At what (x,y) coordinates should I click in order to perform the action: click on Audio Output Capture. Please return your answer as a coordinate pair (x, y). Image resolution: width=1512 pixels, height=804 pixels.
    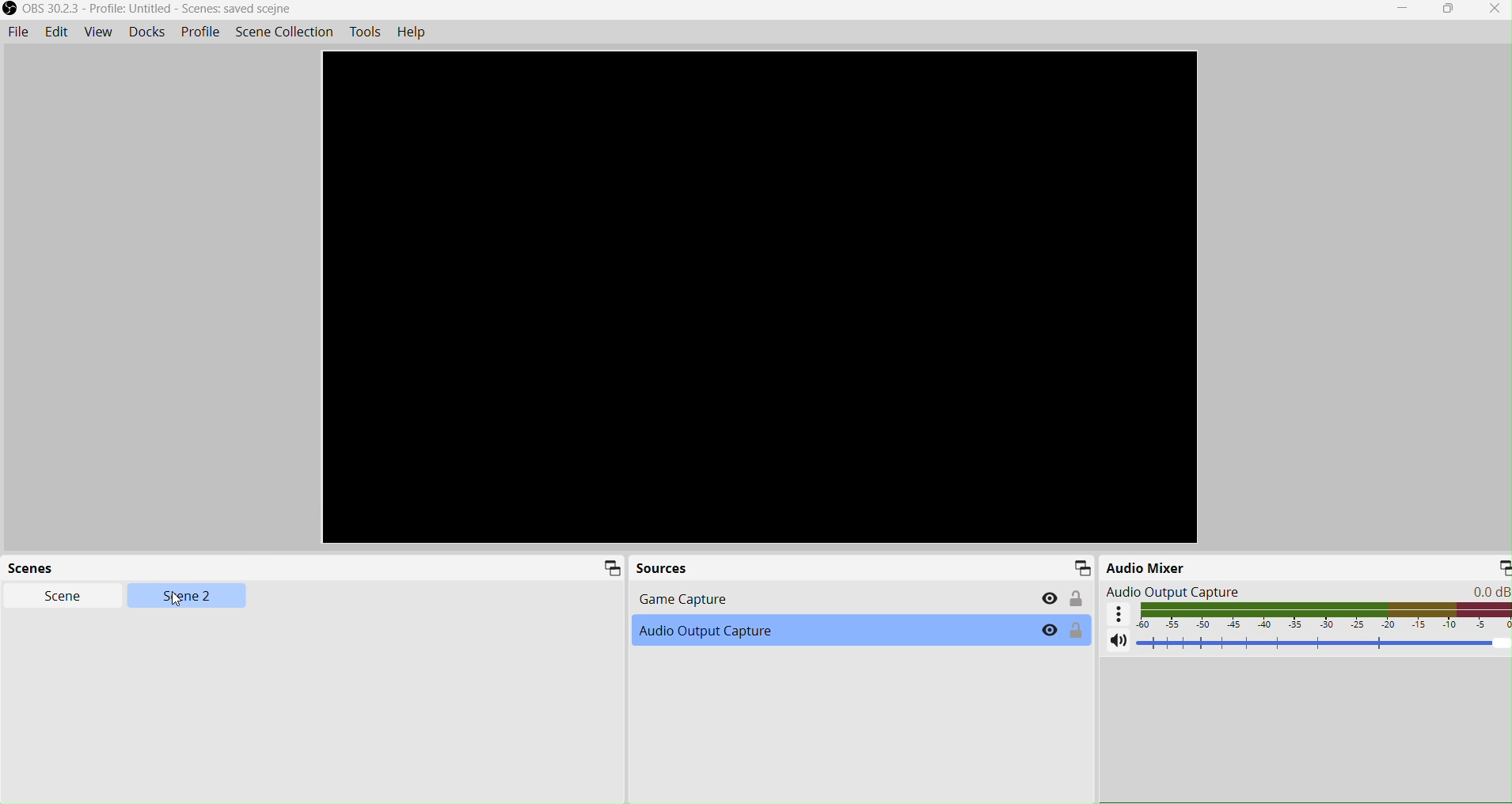
    Looking at the image, I should click on (741, 635).